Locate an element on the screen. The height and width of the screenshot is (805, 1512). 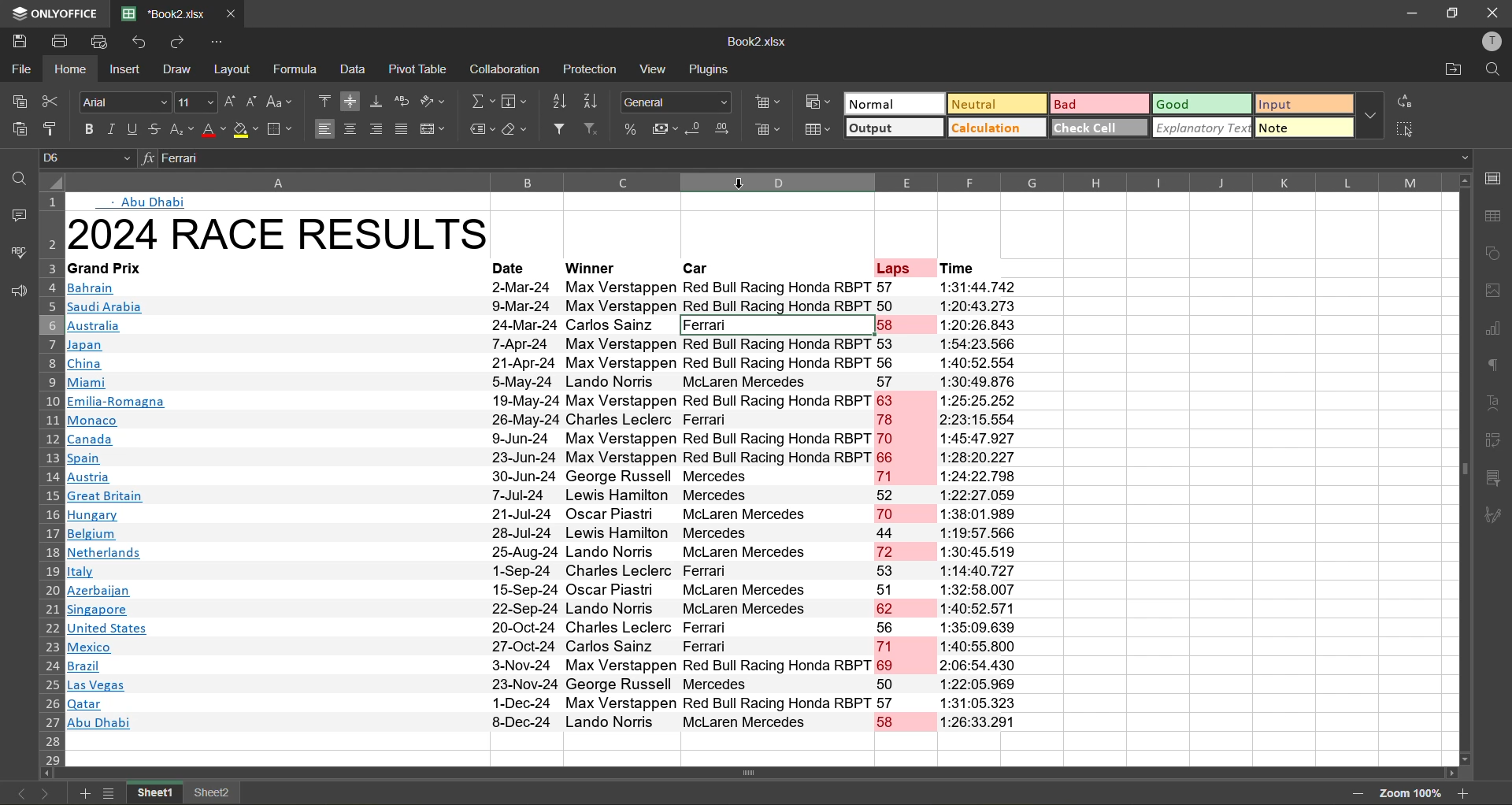
find is located at coordinates (19, 176).